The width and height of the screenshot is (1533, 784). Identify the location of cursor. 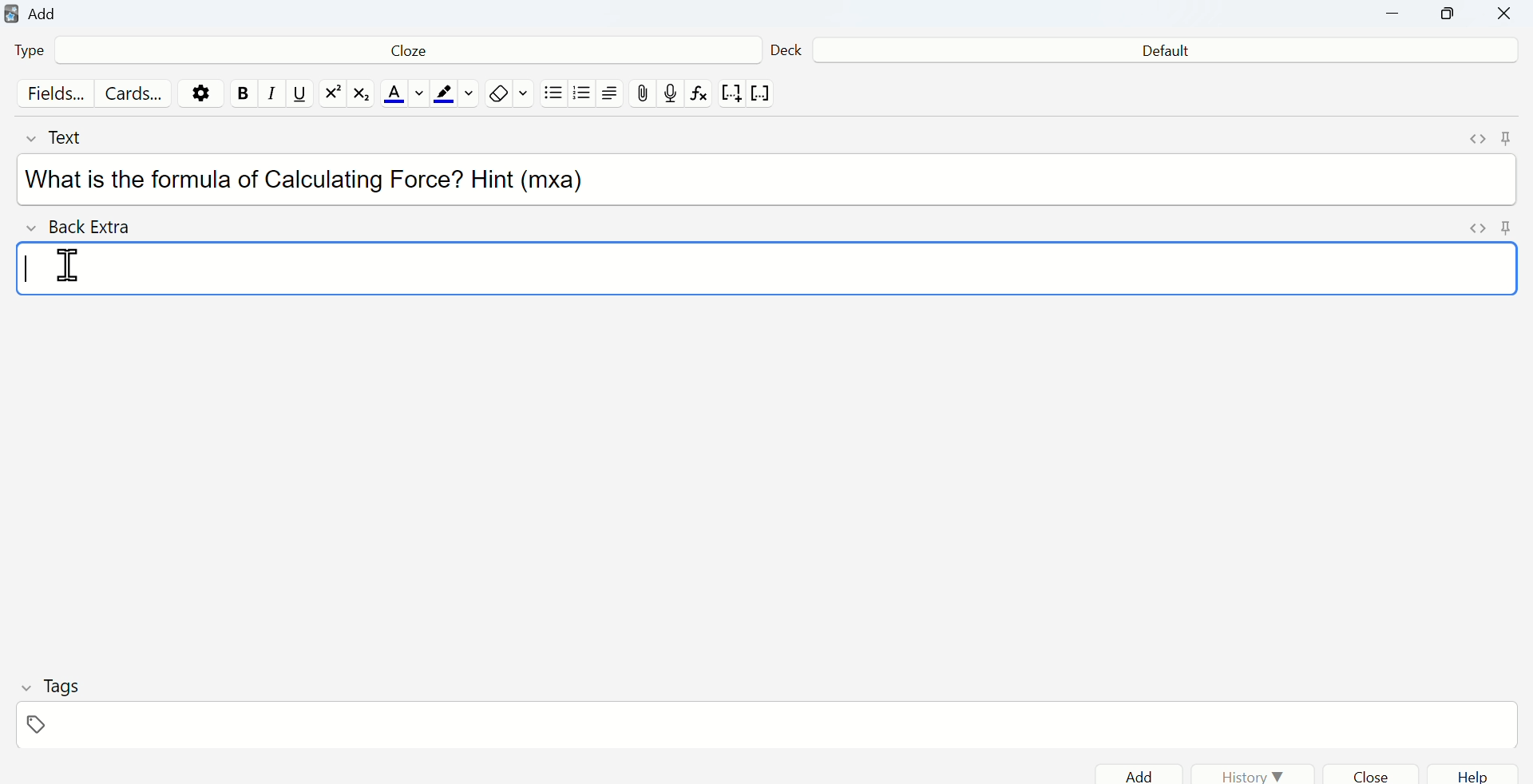
(69, 263).